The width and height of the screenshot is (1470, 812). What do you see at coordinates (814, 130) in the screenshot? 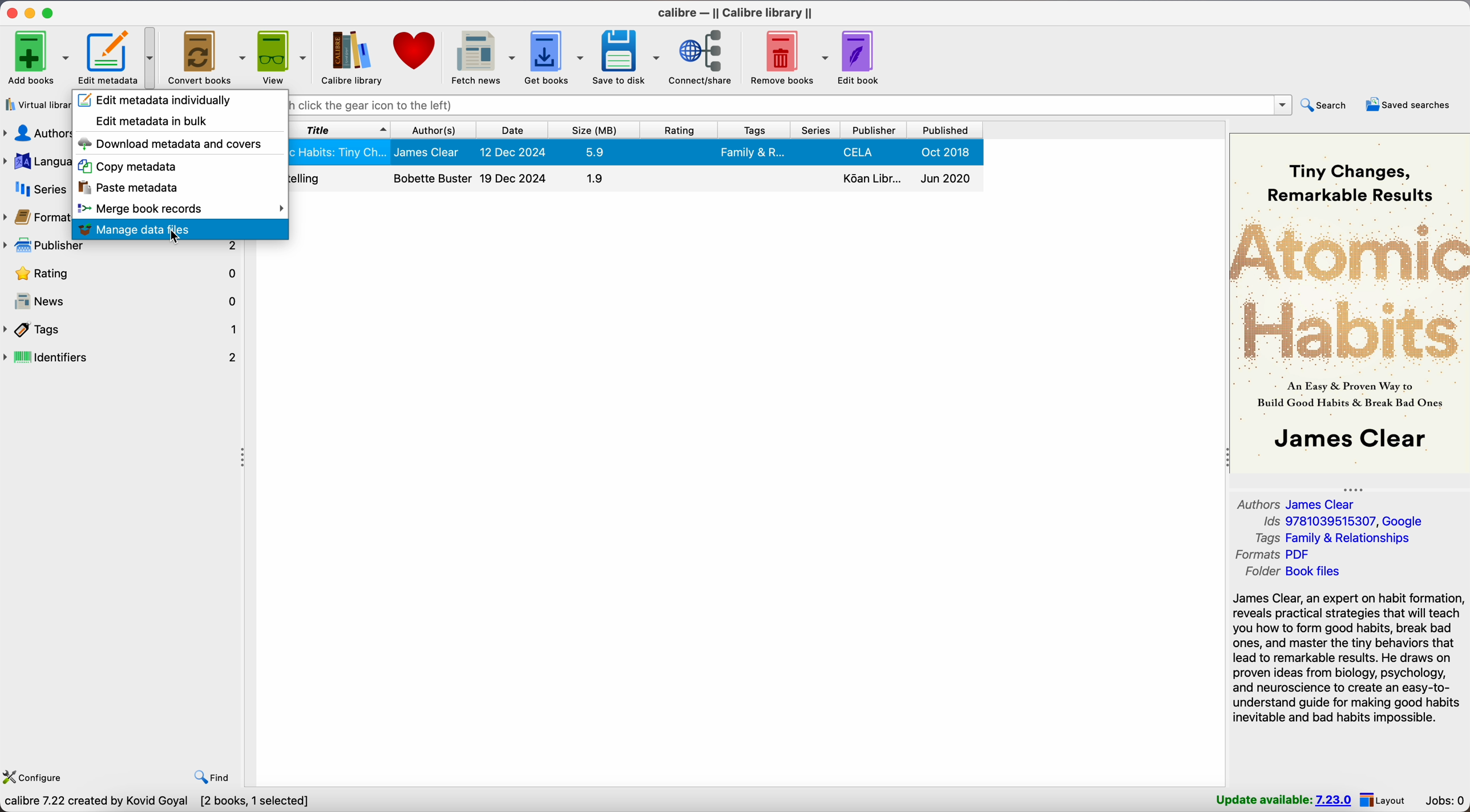
I see `series` at bounding box center [814, 130].